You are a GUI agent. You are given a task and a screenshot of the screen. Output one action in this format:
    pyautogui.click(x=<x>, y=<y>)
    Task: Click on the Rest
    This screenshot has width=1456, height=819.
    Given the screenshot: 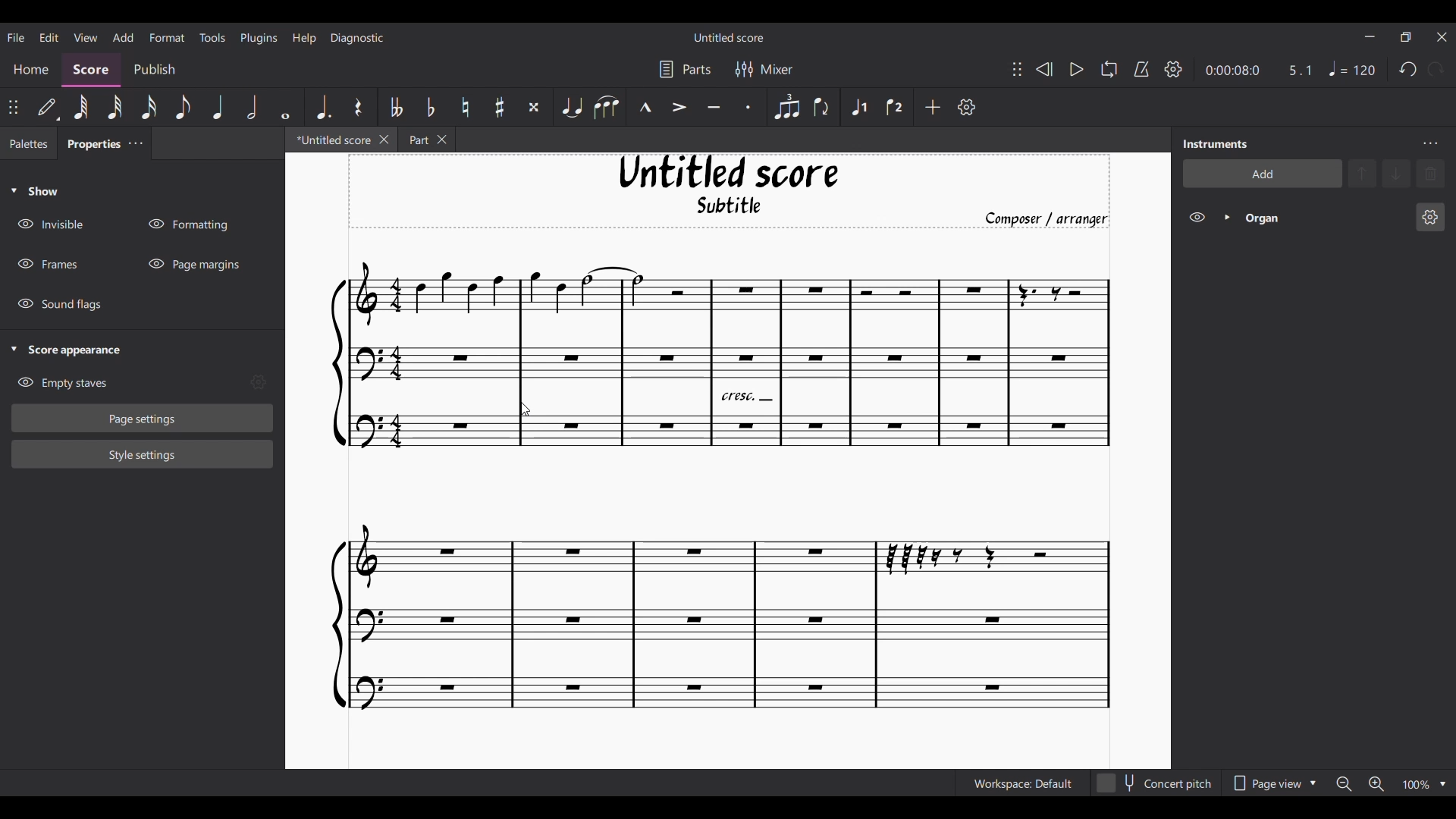 What is the action you would take?
    pyautogui.click(x=358, y=107)
    